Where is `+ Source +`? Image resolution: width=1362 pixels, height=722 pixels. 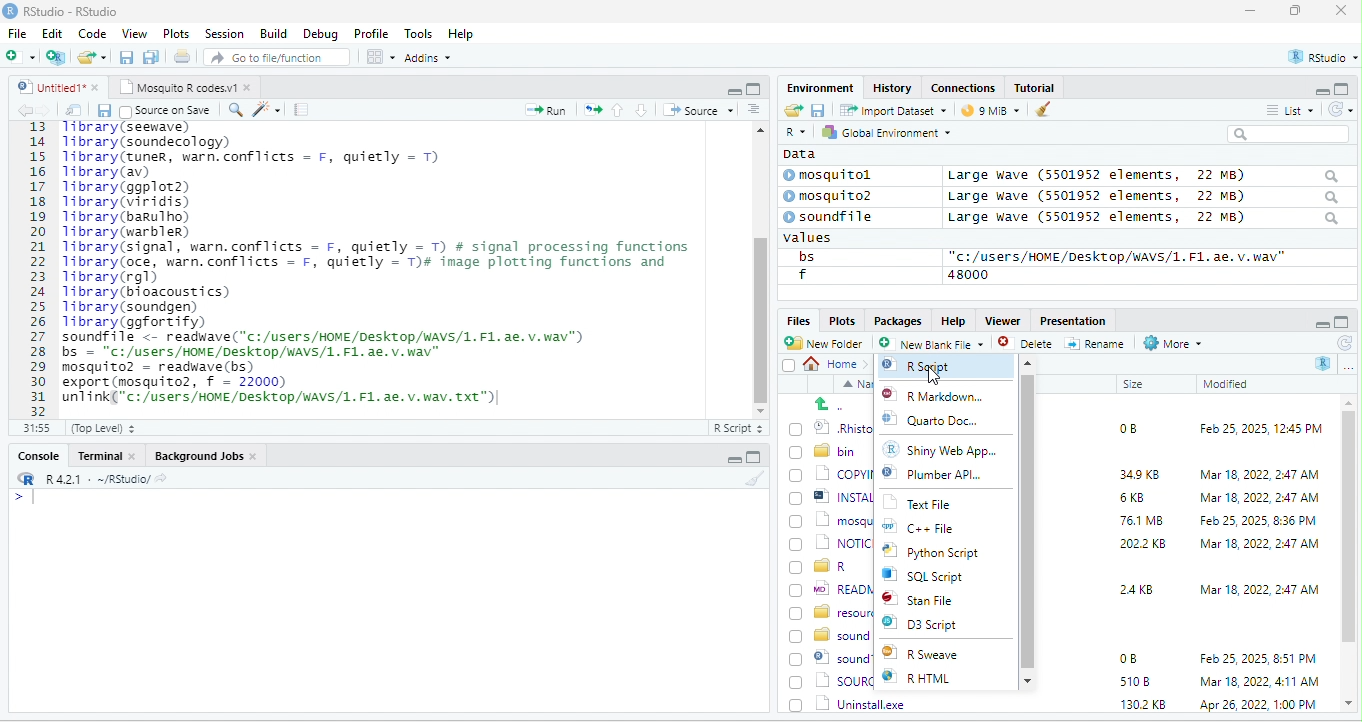 + Source + is located at coordinates (698, 109).